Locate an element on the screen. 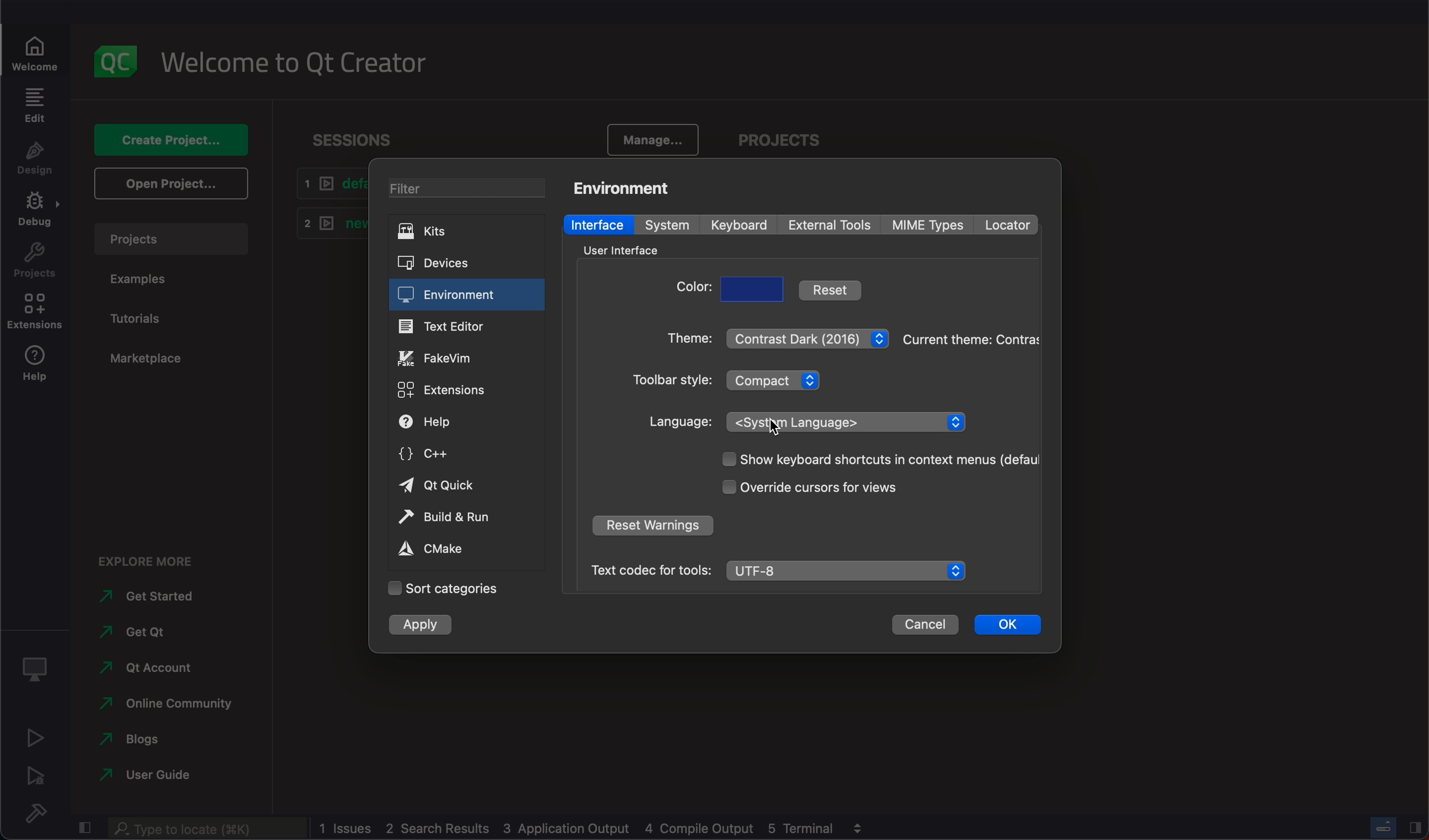  cursor is located at coordinates (777, 426).